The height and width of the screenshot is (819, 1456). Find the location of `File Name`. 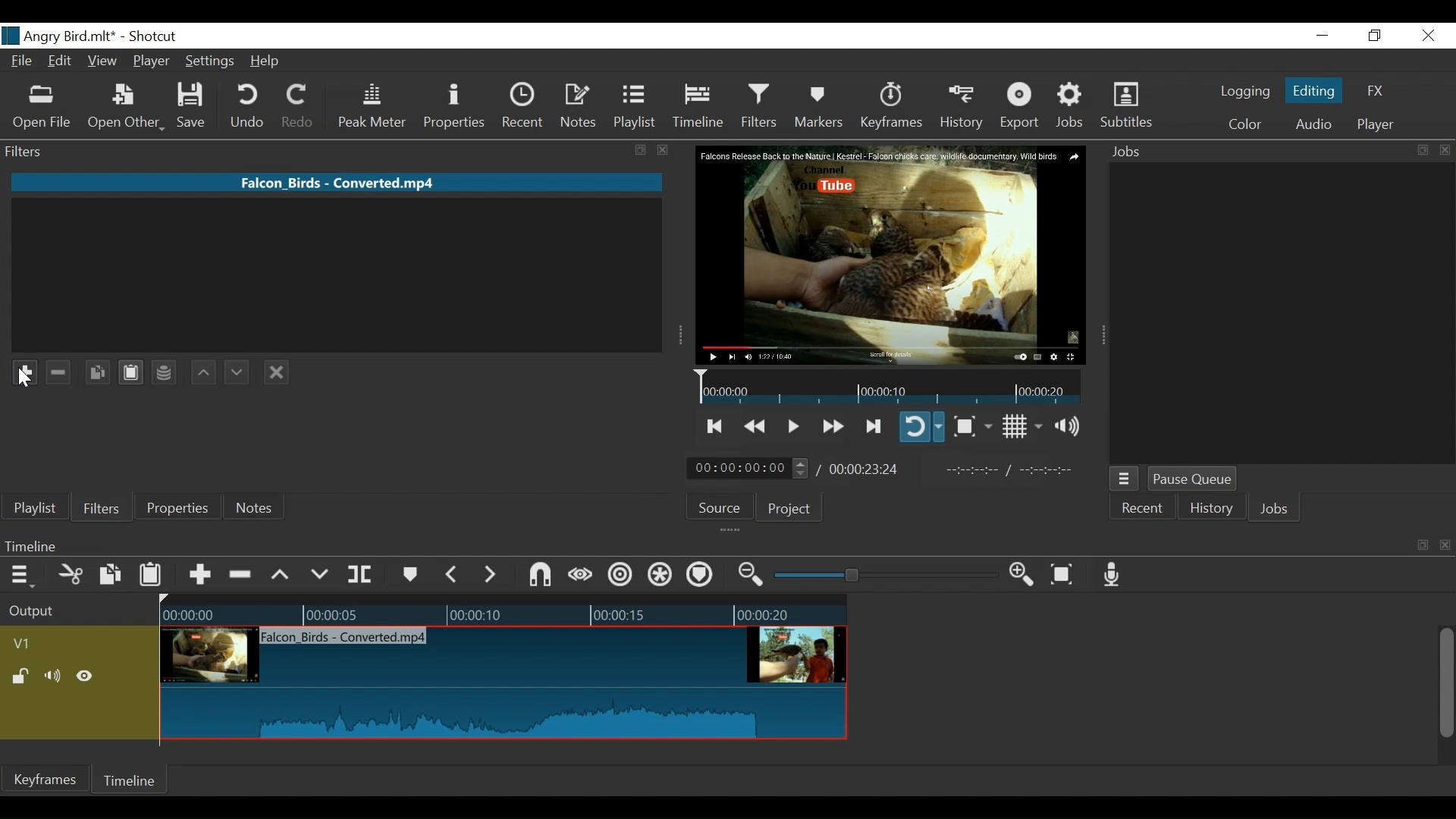

File Name is located at coordinates (339, 181).